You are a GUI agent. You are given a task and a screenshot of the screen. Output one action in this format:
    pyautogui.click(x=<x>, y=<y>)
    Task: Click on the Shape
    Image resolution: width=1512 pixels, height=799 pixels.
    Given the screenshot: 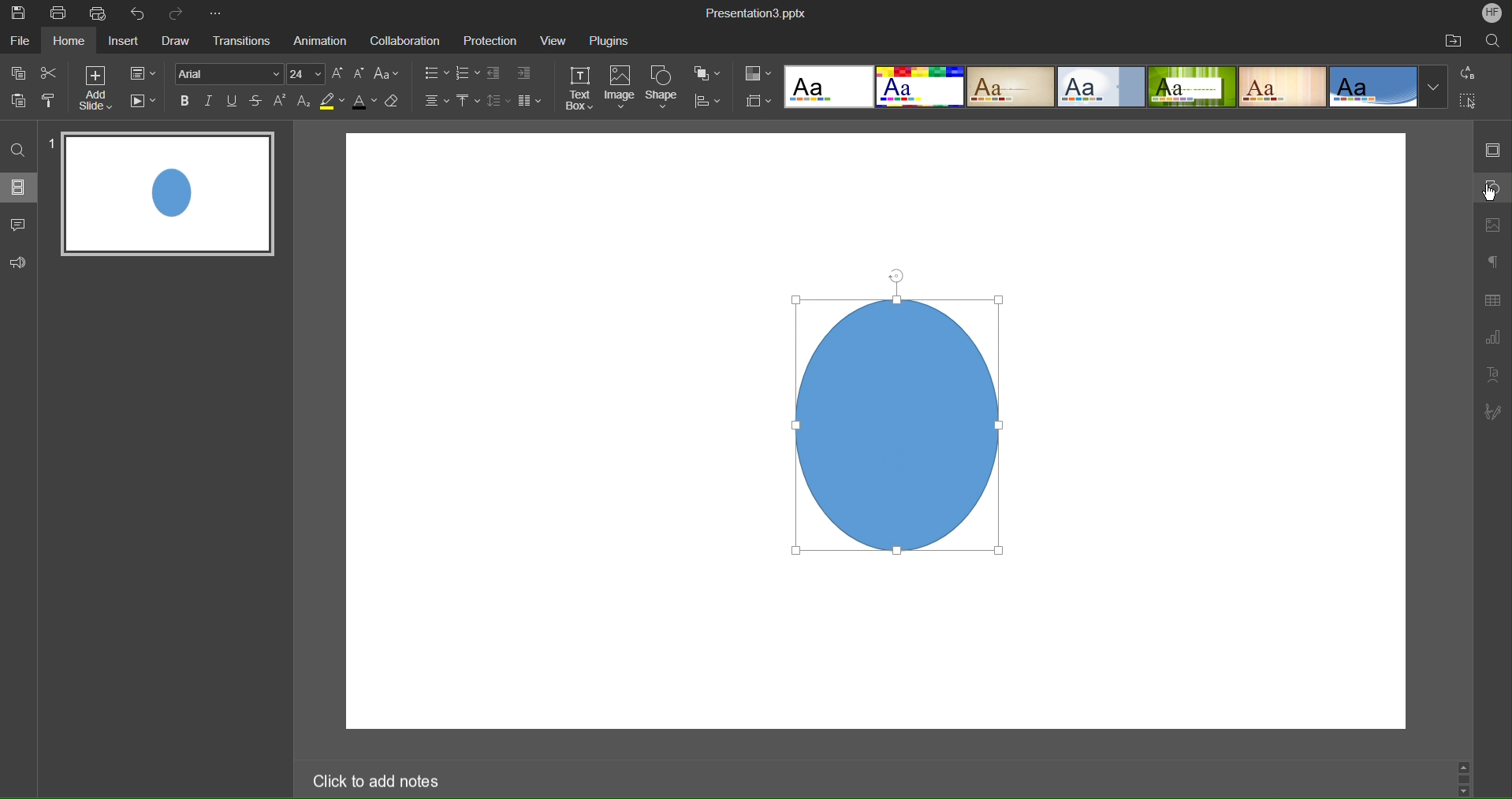 What is the action you would take?
    pyautogui.click(x=665, y=89)
    